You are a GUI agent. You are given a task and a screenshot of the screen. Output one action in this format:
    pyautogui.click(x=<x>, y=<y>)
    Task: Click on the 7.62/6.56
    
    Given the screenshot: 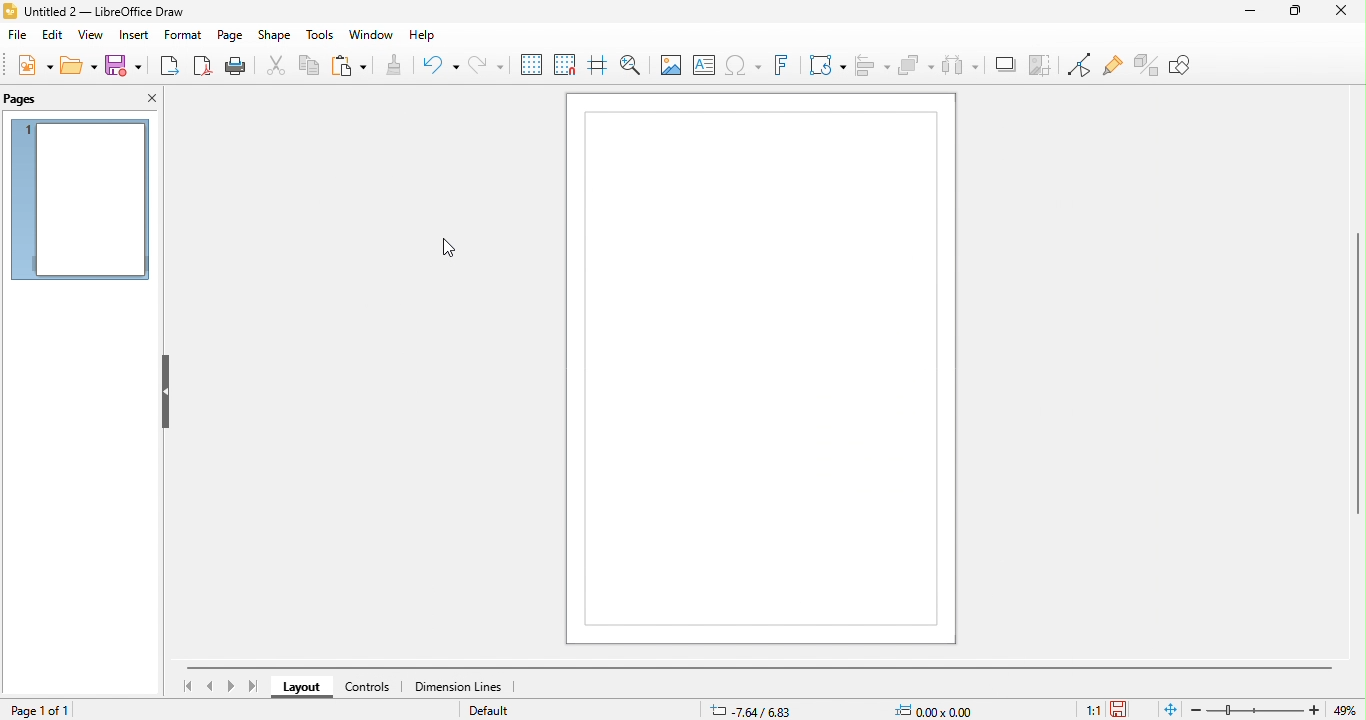 What is the action you would take?
    pyautogui.click(x=752, y=709)
    